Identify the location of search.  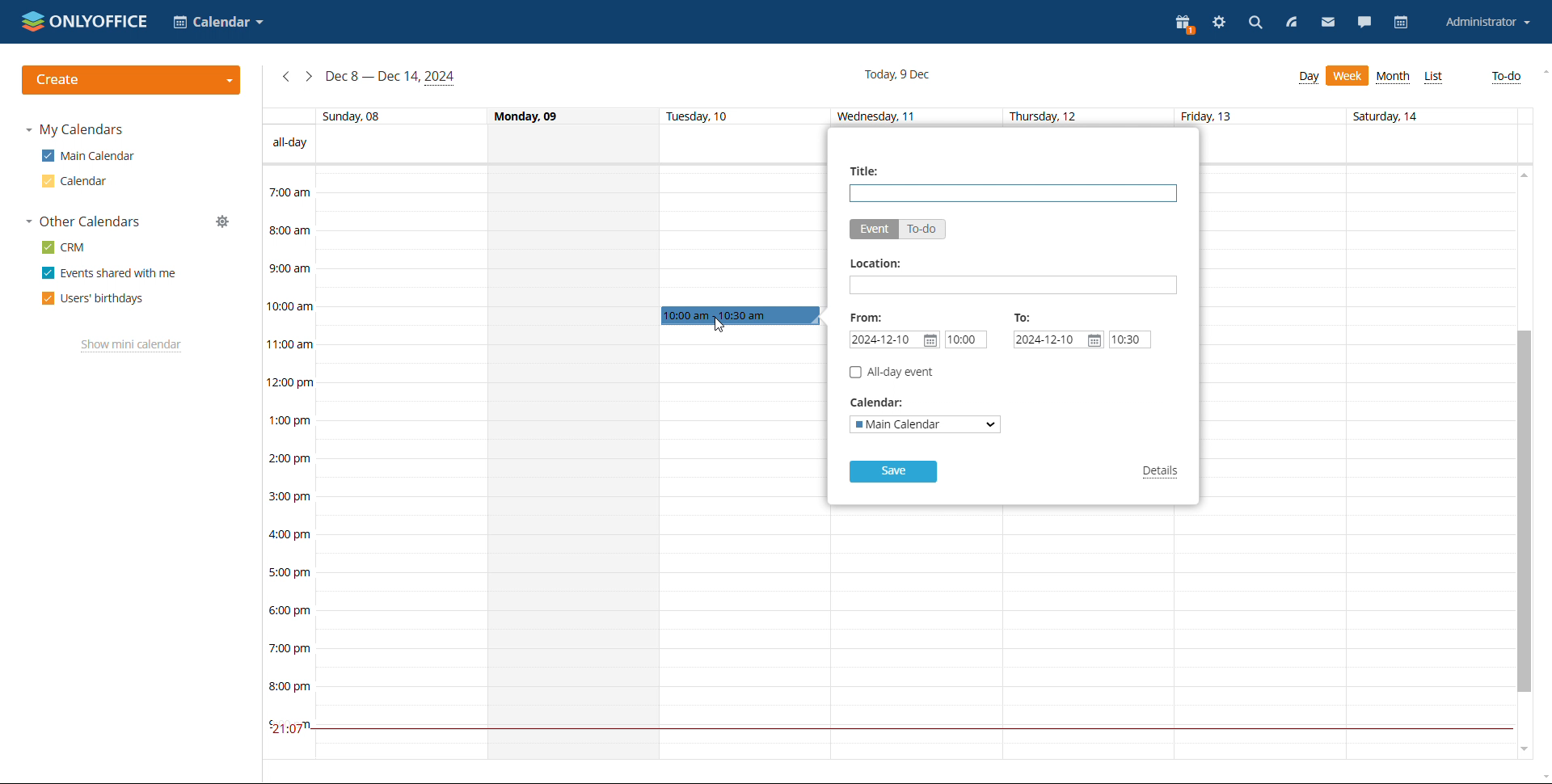
(1255, 25).